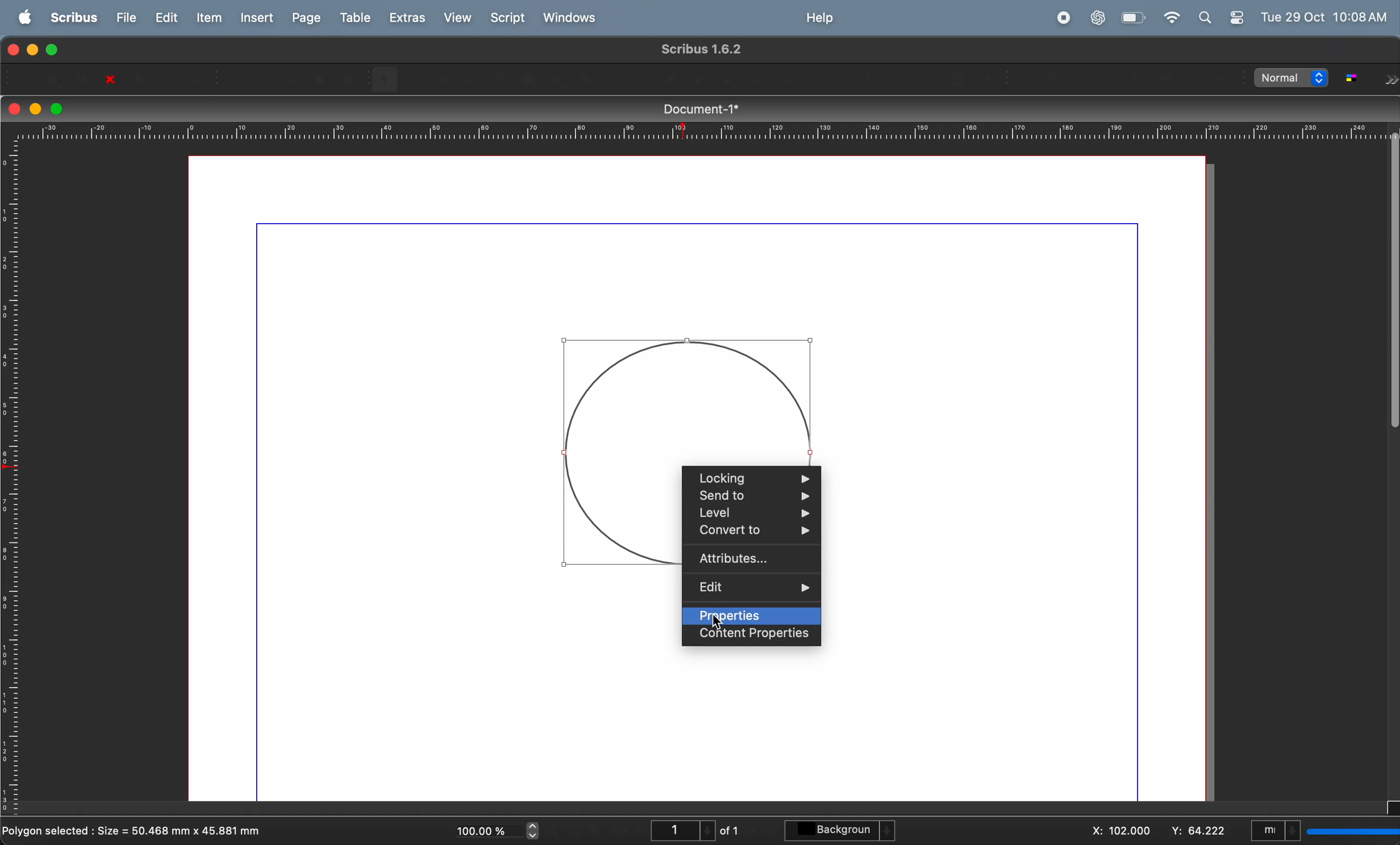  I want to click on maximize, so click(58, 108).